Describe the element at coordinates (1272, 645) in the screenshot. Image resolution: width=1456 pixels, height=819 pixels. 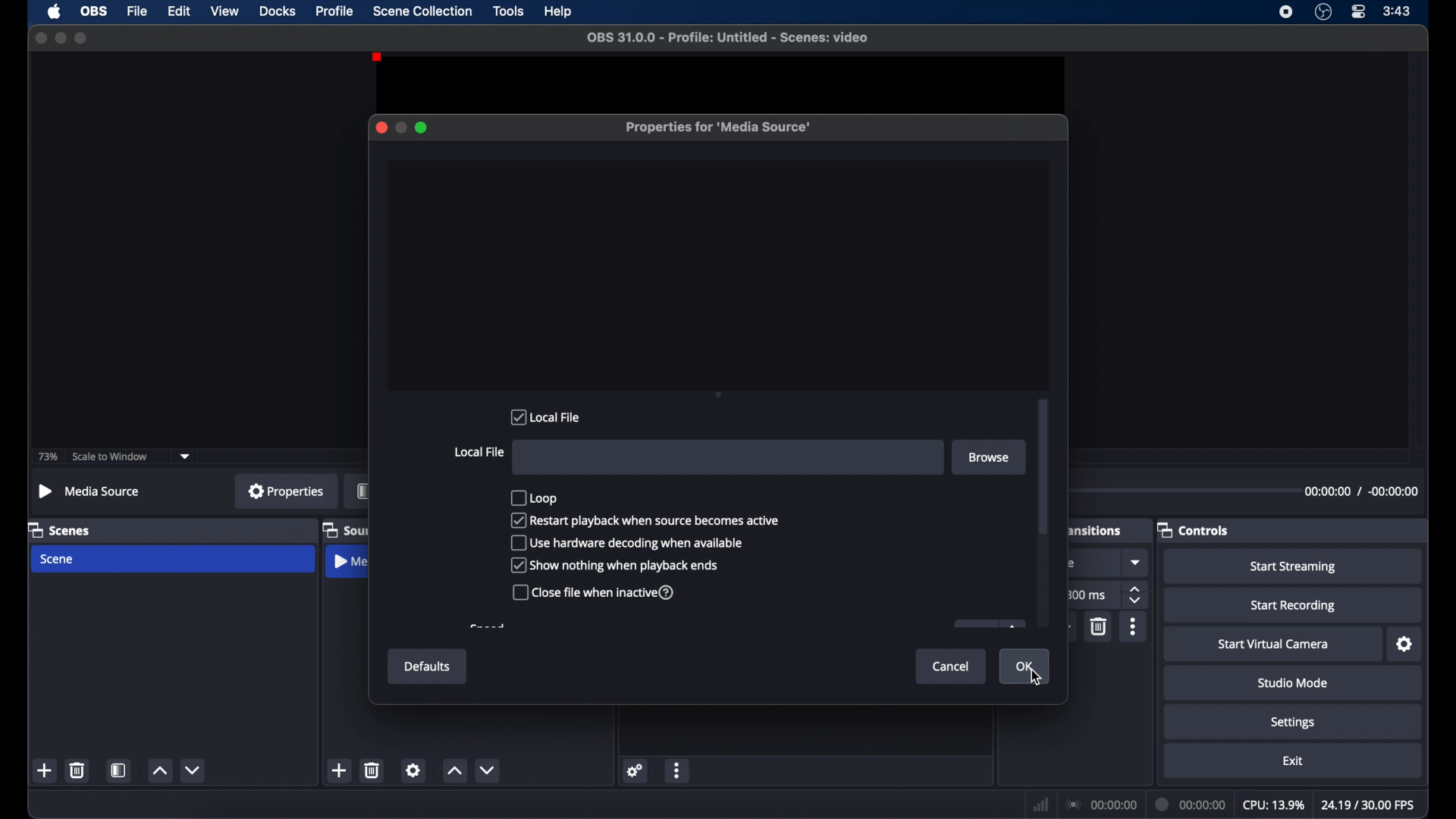
I see `start virtual camera` at that location.